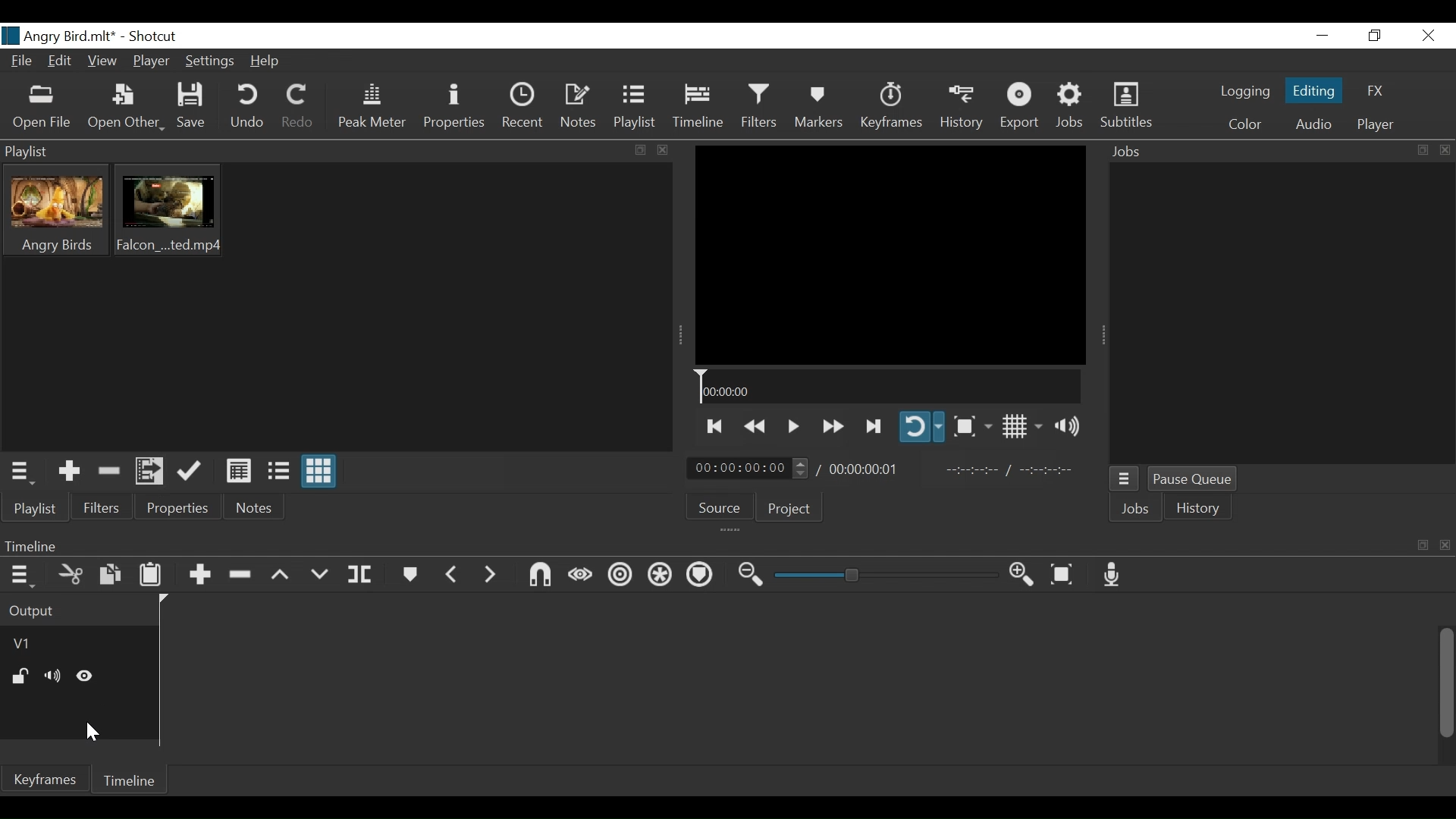 The width and height of the screenshot is (1456, 819). I want to click on Toggle player looping, so click(923, 427).